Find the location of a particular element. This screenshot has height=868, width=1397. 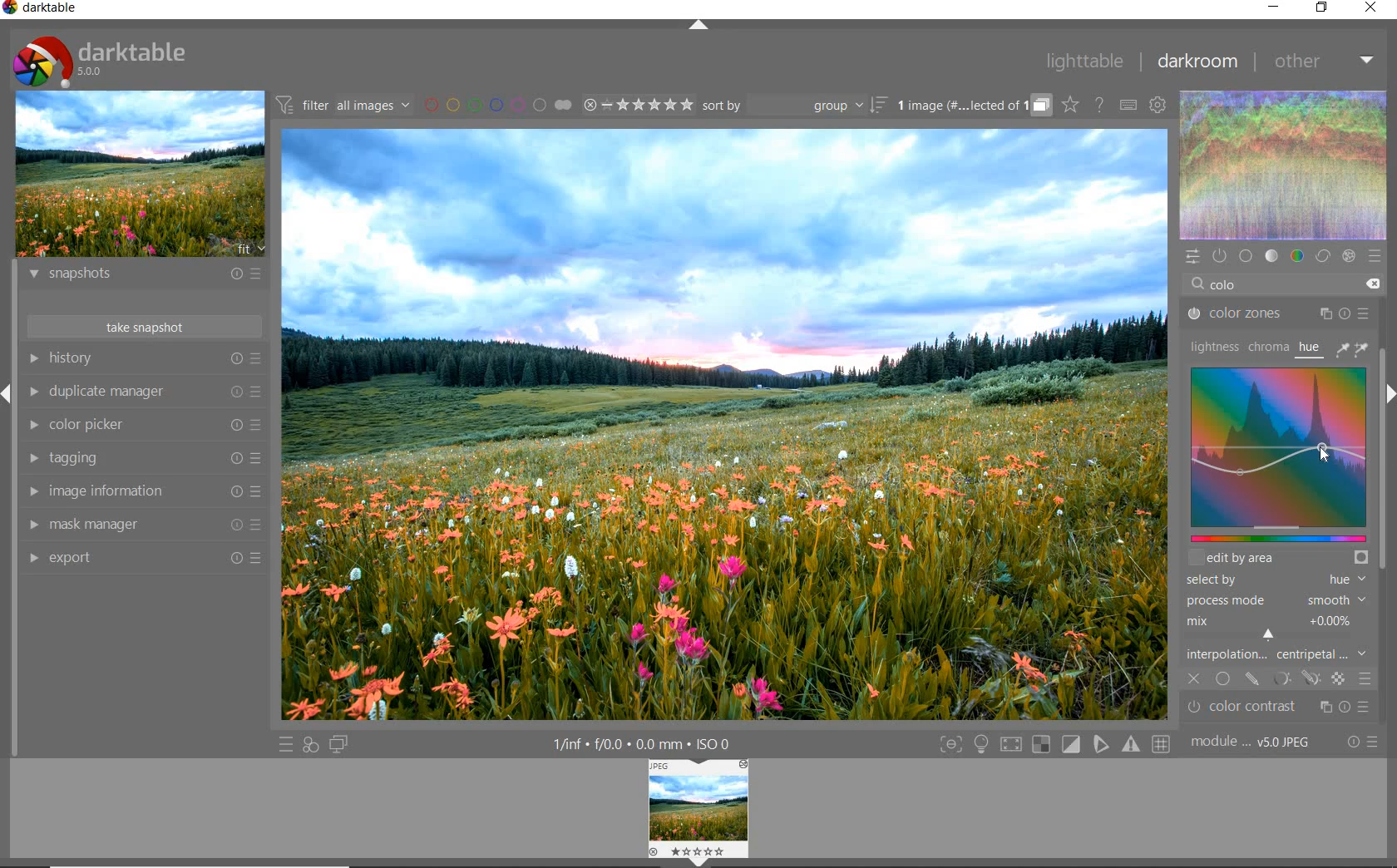

Colorize is located at coordinates (1276, 457).